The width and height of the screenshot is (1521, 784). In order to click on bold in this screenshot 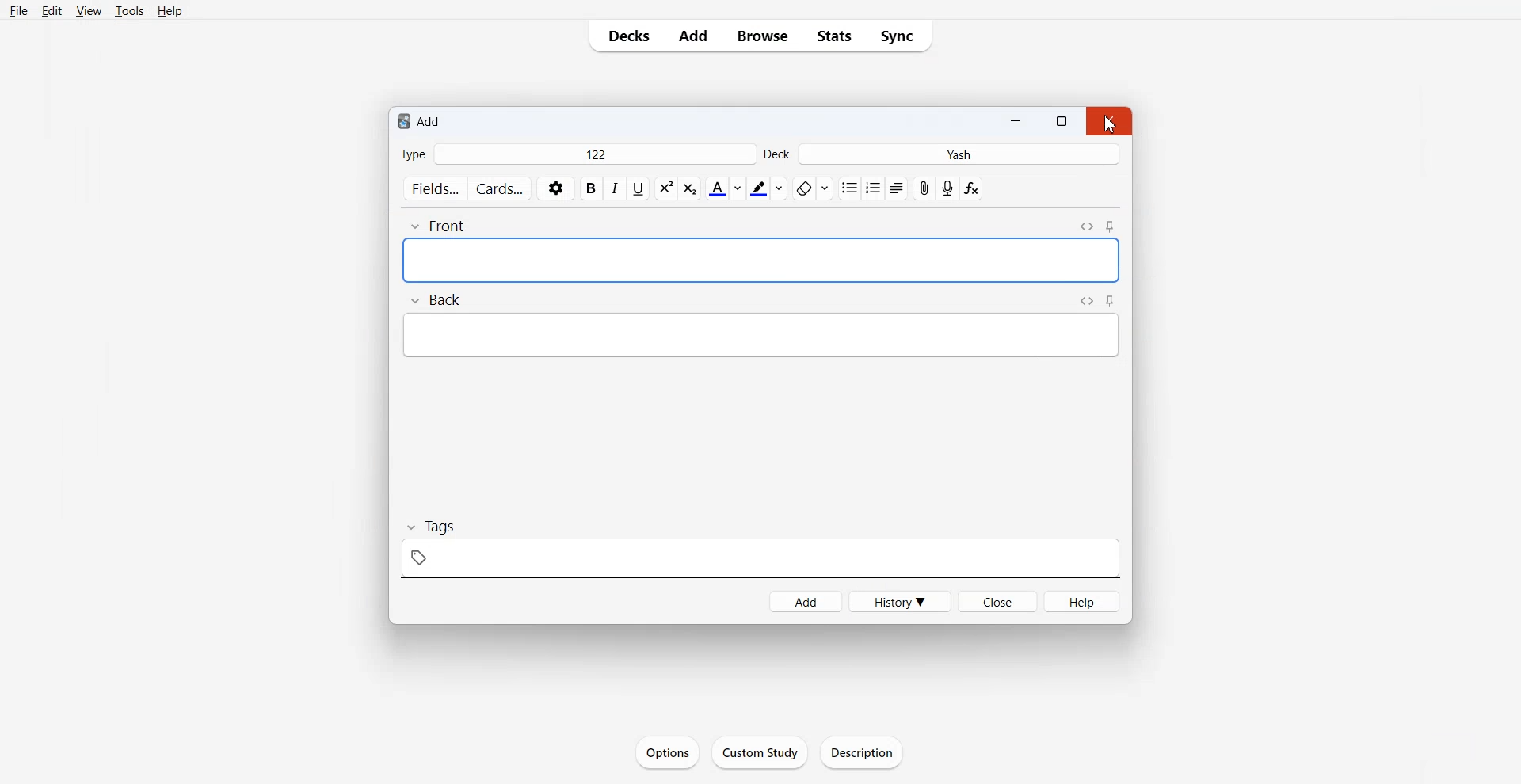, I will do `click(591, 189)`.